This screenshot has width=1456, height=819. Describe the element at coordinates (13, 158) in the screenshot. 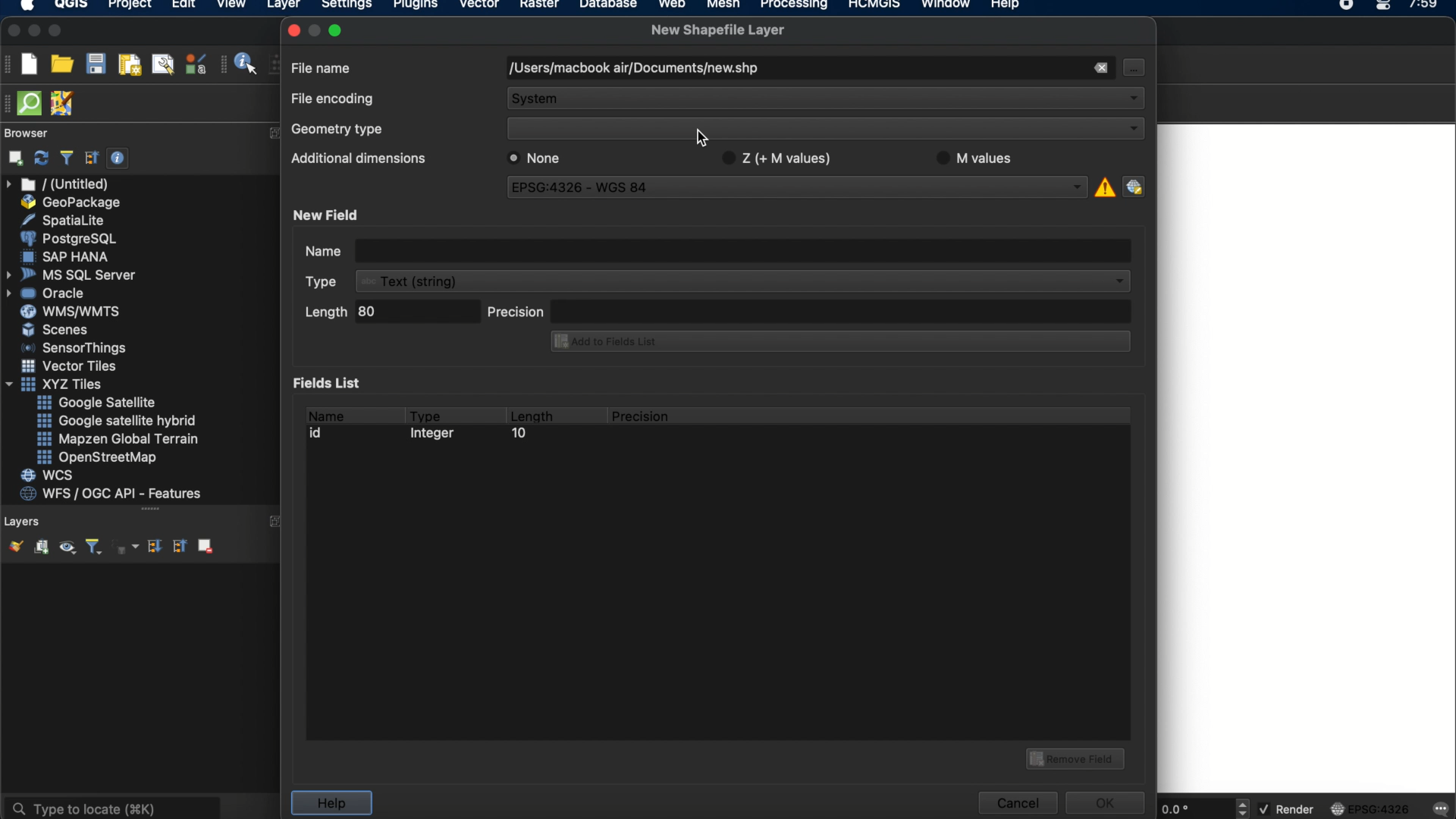

I see `add selected layers` at that location.